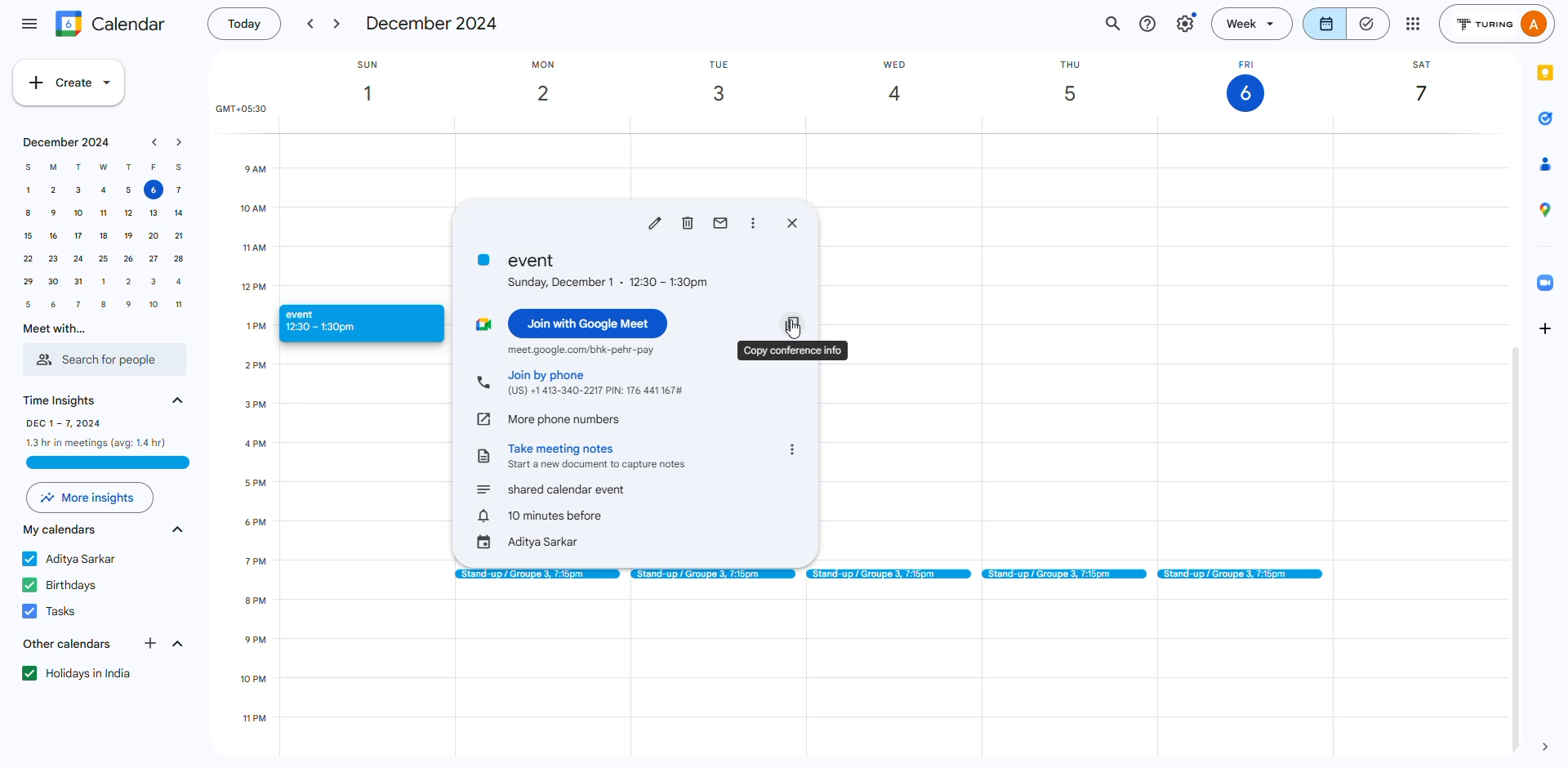  I want to click on 20, so click(154, 237).